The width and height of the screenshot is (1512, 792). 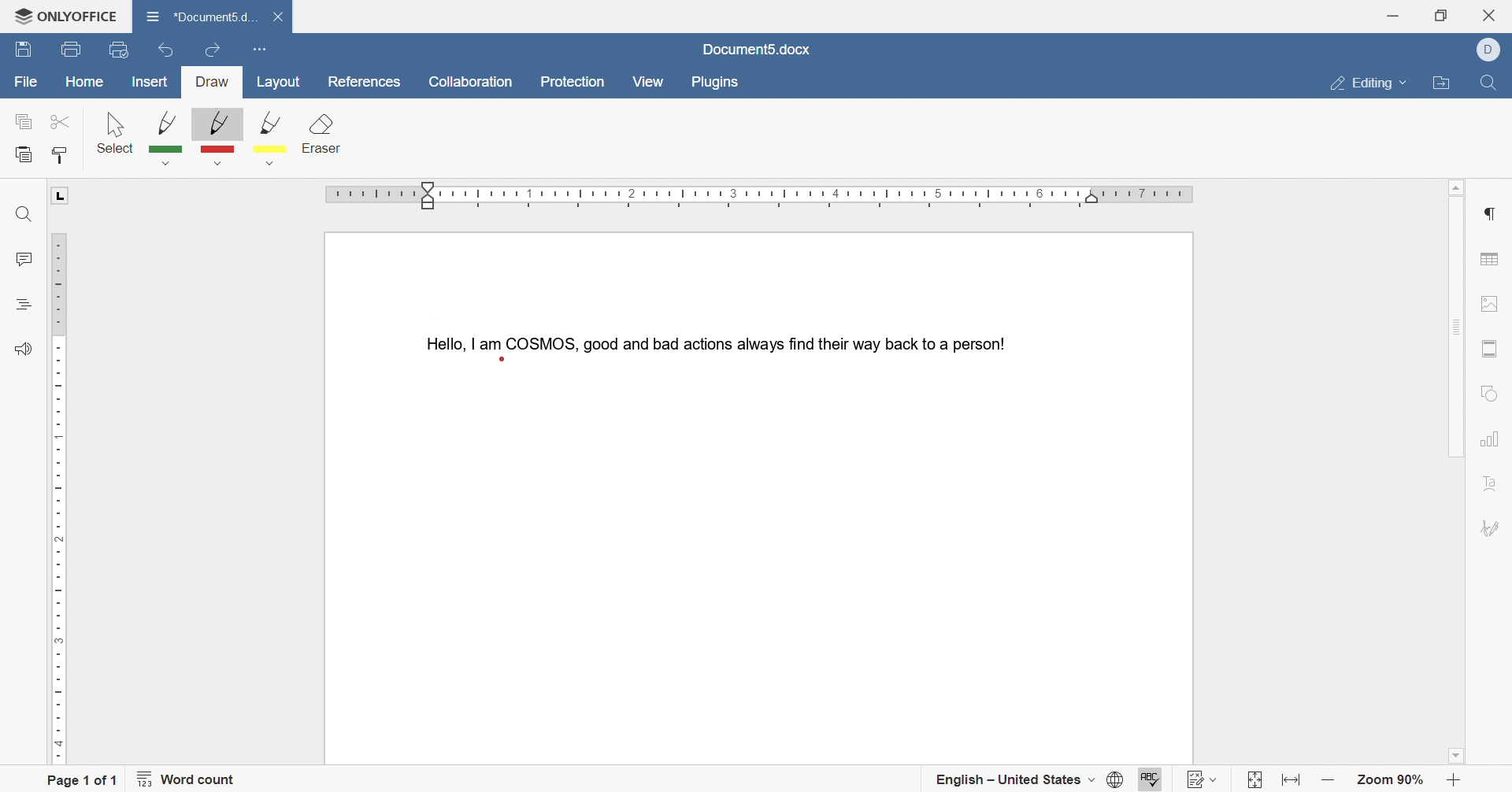 I want to click on *document5.docx, so click(x=201, y=14).